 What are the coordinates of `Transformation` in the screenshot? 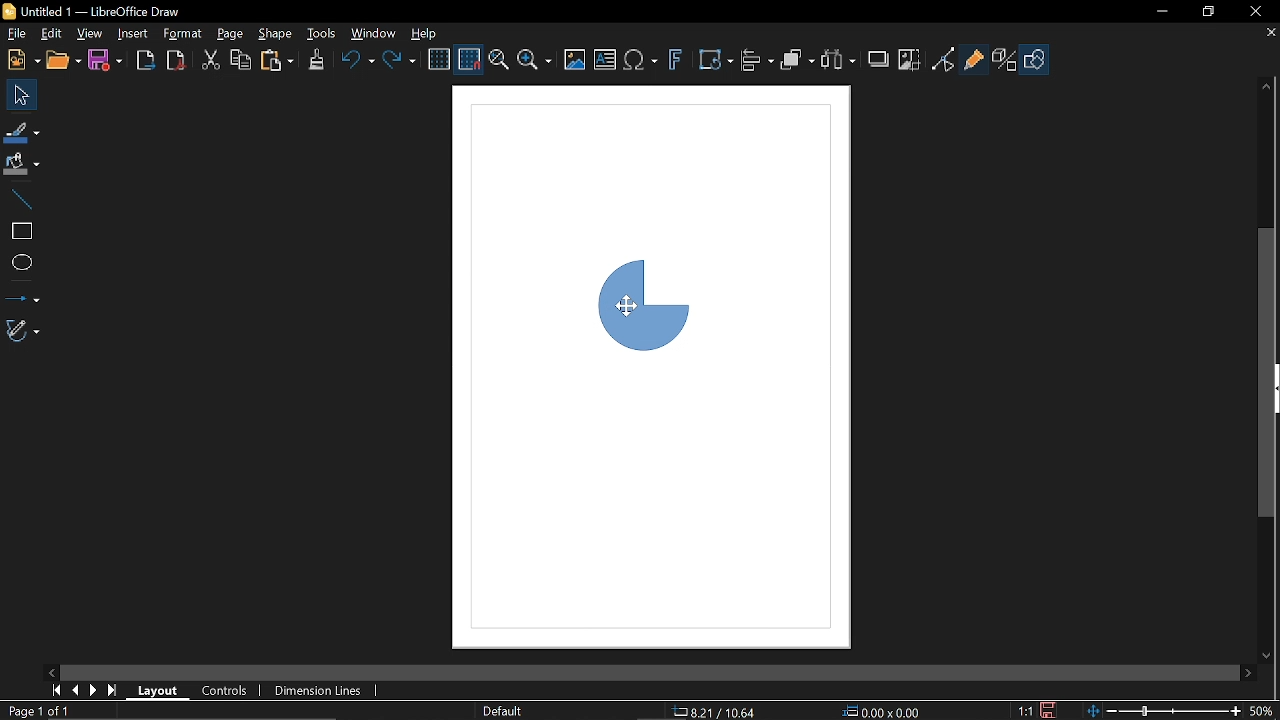 It's located at (715, 62).